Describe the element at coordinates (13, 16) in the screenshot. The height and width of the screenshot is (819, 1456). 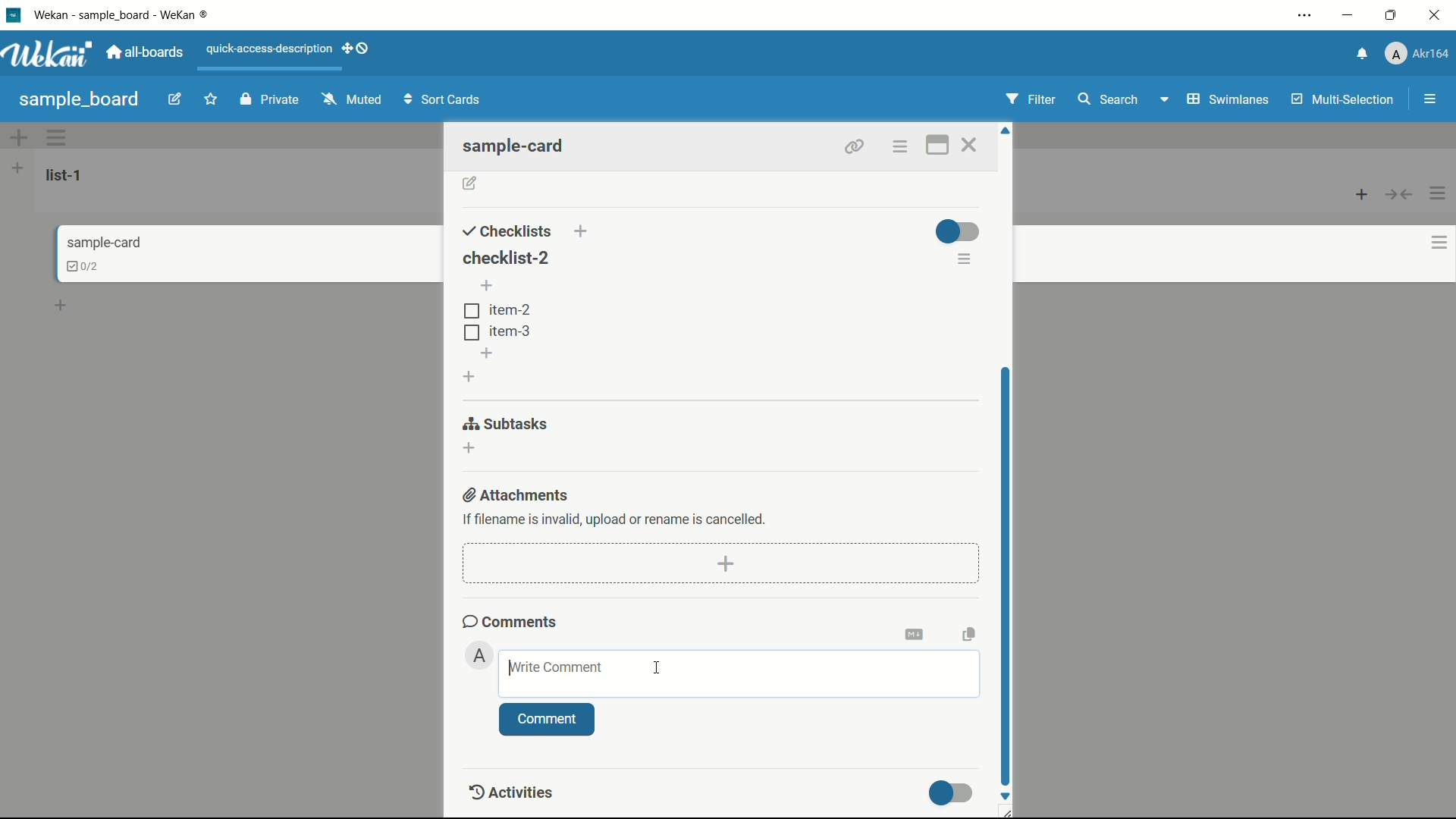
I see `app icon` at that location.